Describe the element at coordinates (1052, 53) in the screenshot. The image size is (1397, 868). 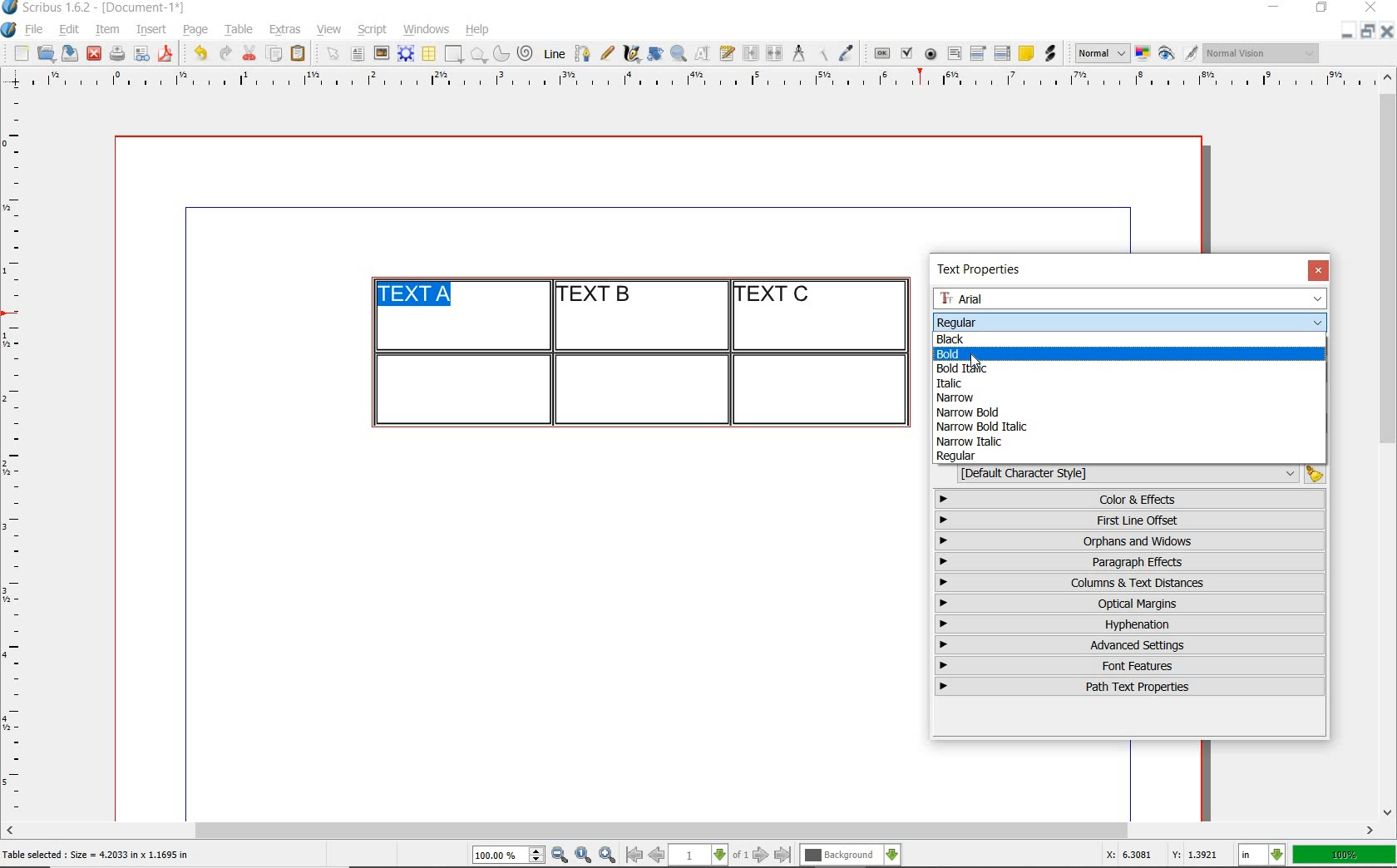
I see `link annotation` at that location.